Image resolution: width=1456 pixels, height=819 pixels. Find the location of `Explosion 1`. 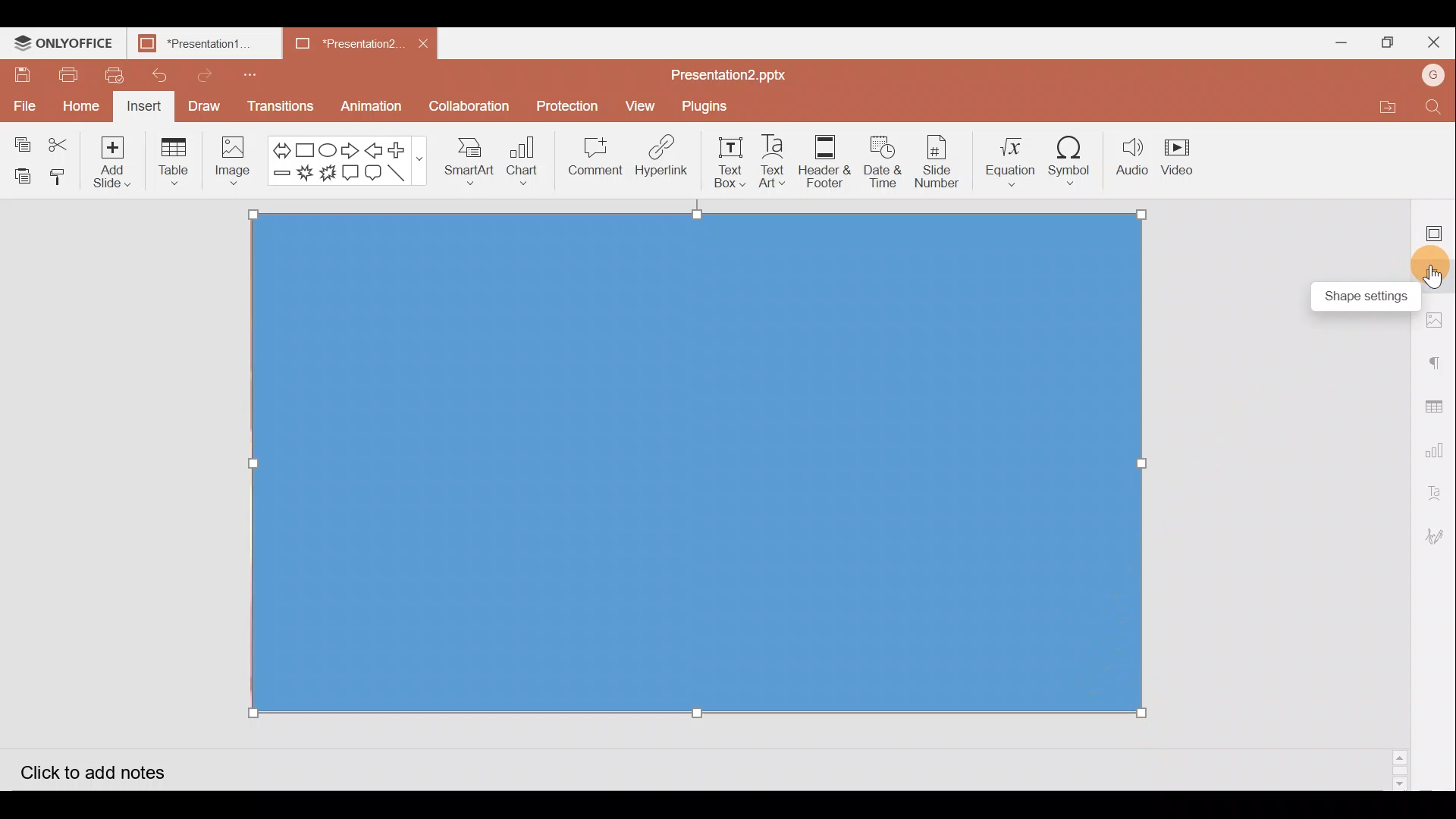

Explosion 1 is located at coordinates (305, 177).